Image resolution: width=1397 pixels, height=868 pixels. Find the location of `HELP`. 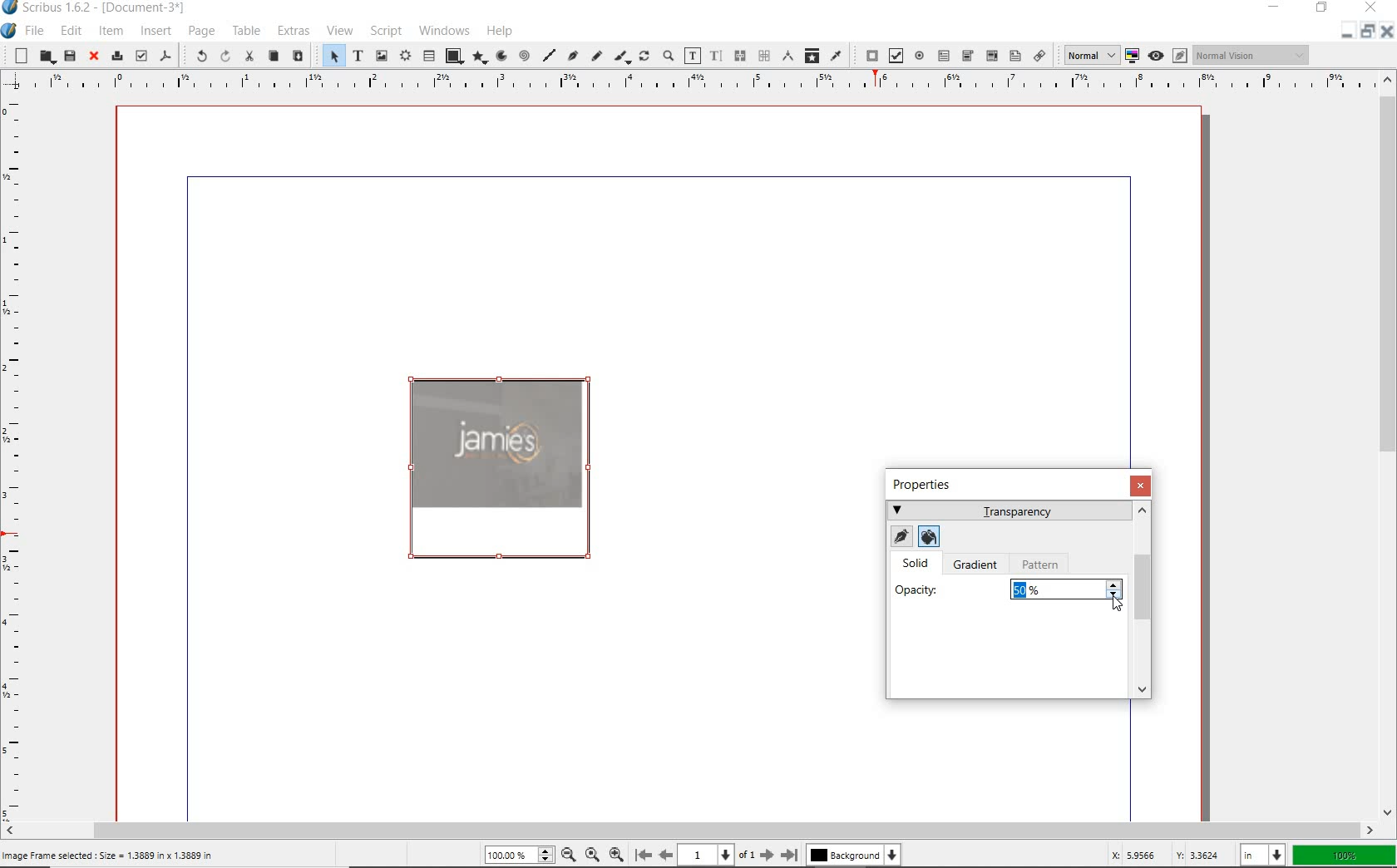

HELP is located at coordinates (501, 31).